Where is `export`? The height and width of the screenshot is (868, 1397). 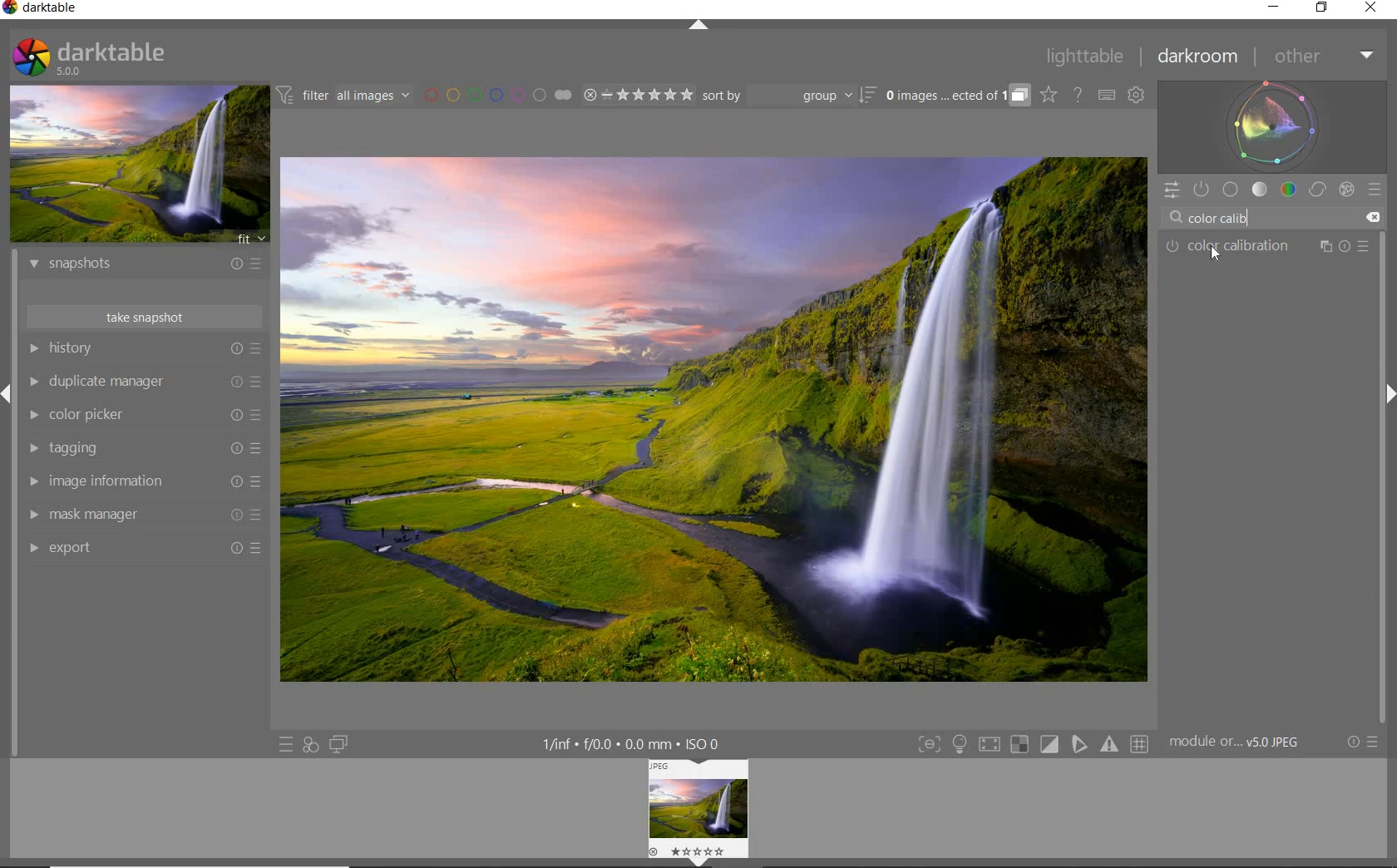
export is located at coordinates (146, 550).